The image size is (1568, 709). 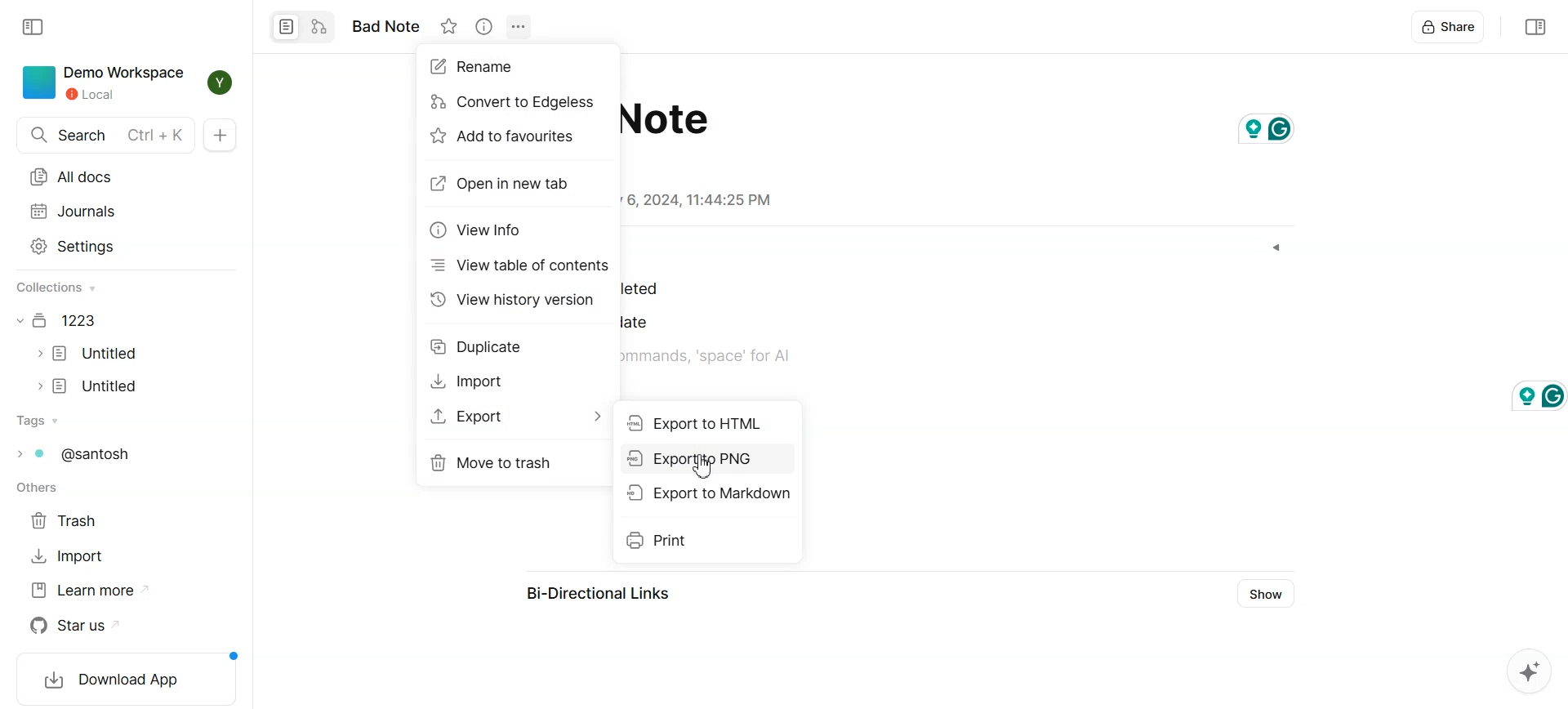 I want to click on Tags, so click(x=37, y=421).